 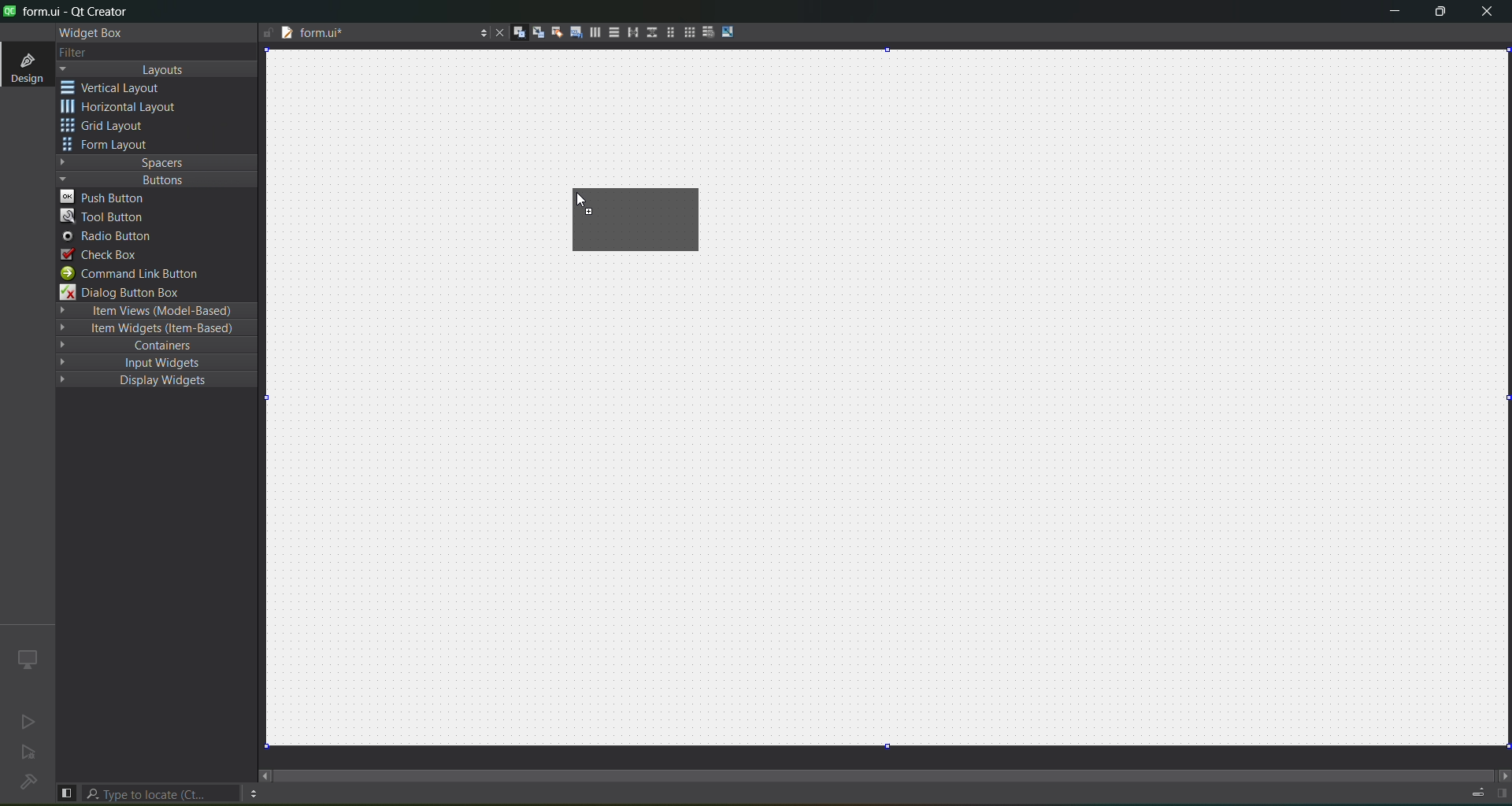 What do you see at coordinates (124, 109) in the screenshot?
I see `horizontal layout` at bounding box center [124, 109].